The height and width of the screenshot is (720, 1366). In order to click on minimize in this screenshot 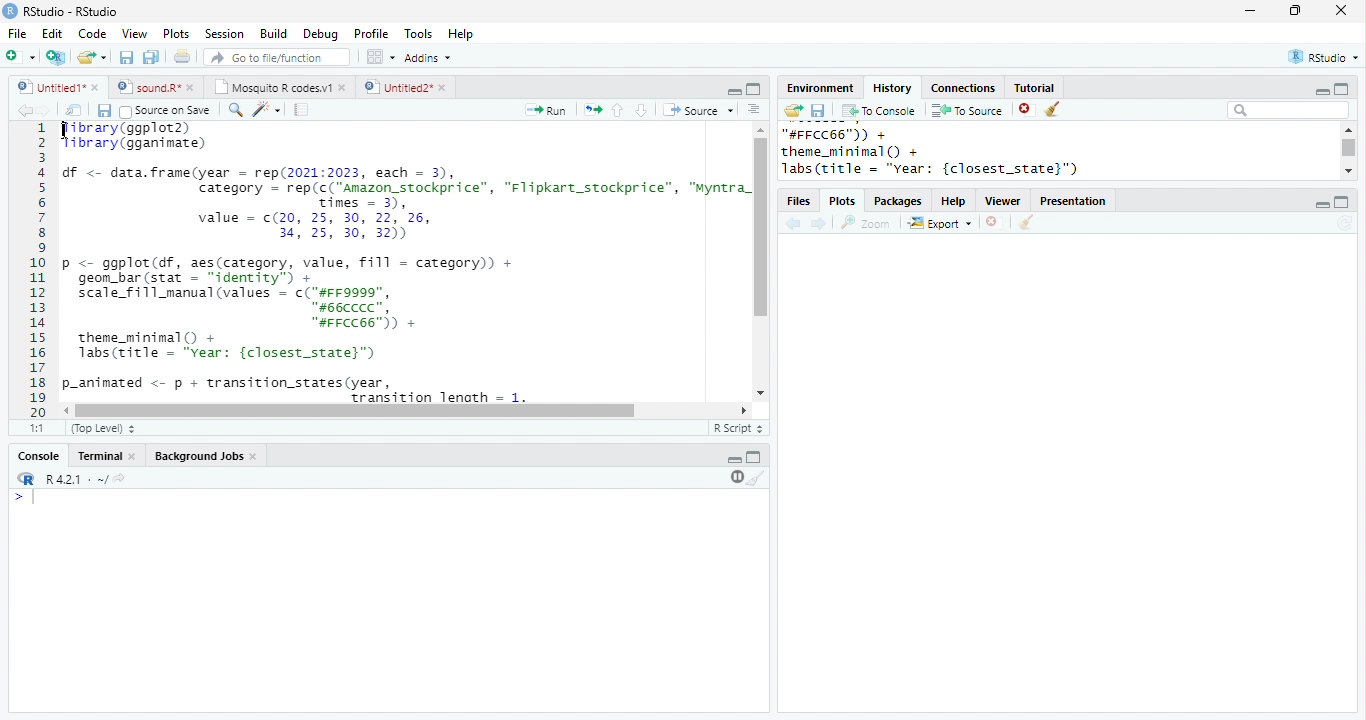, I will do `click(1249, 11)`.